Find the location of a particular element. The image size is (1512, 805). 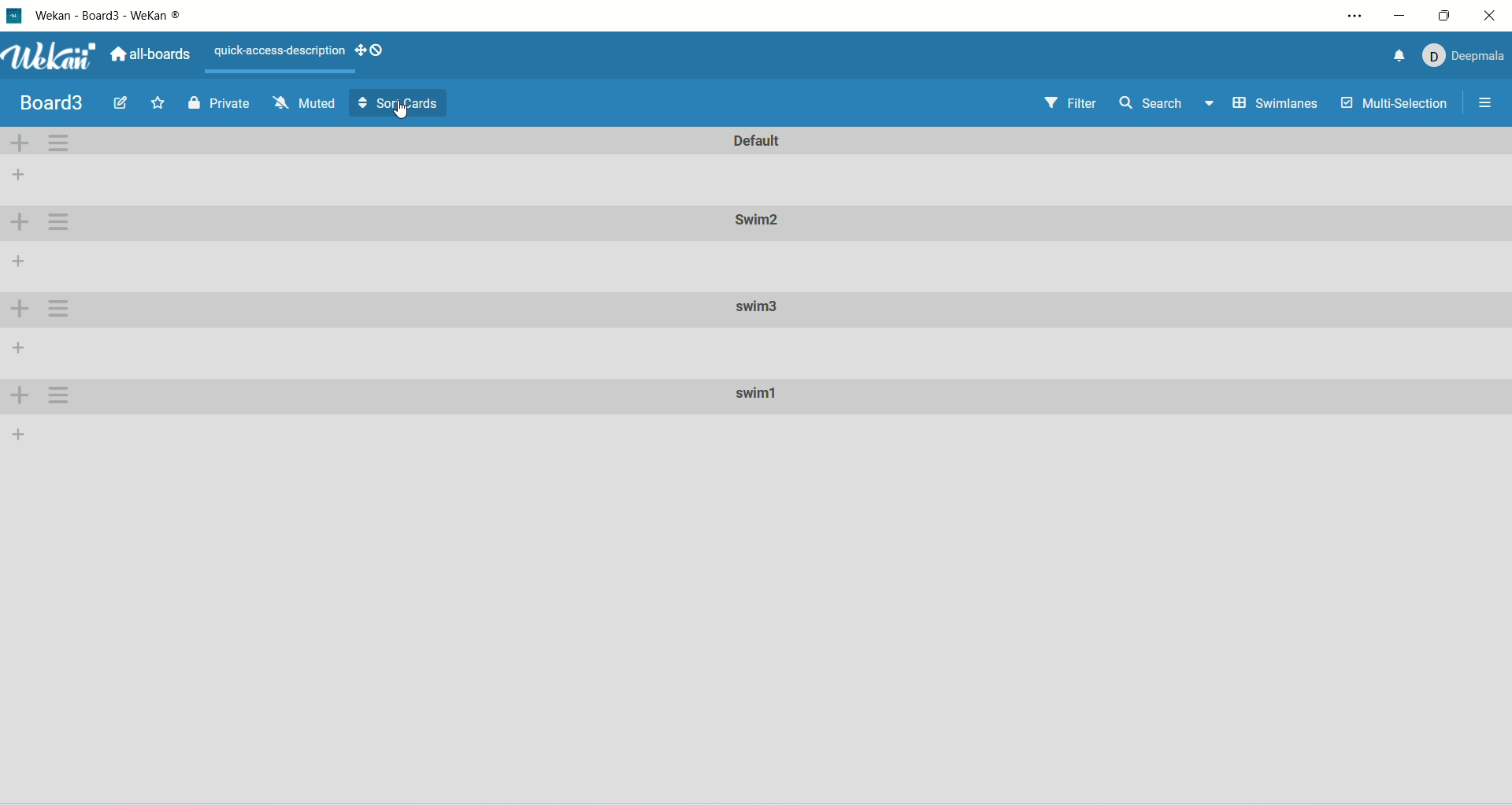

show-desktop-drag-handles is located at coordinates (374, 50).